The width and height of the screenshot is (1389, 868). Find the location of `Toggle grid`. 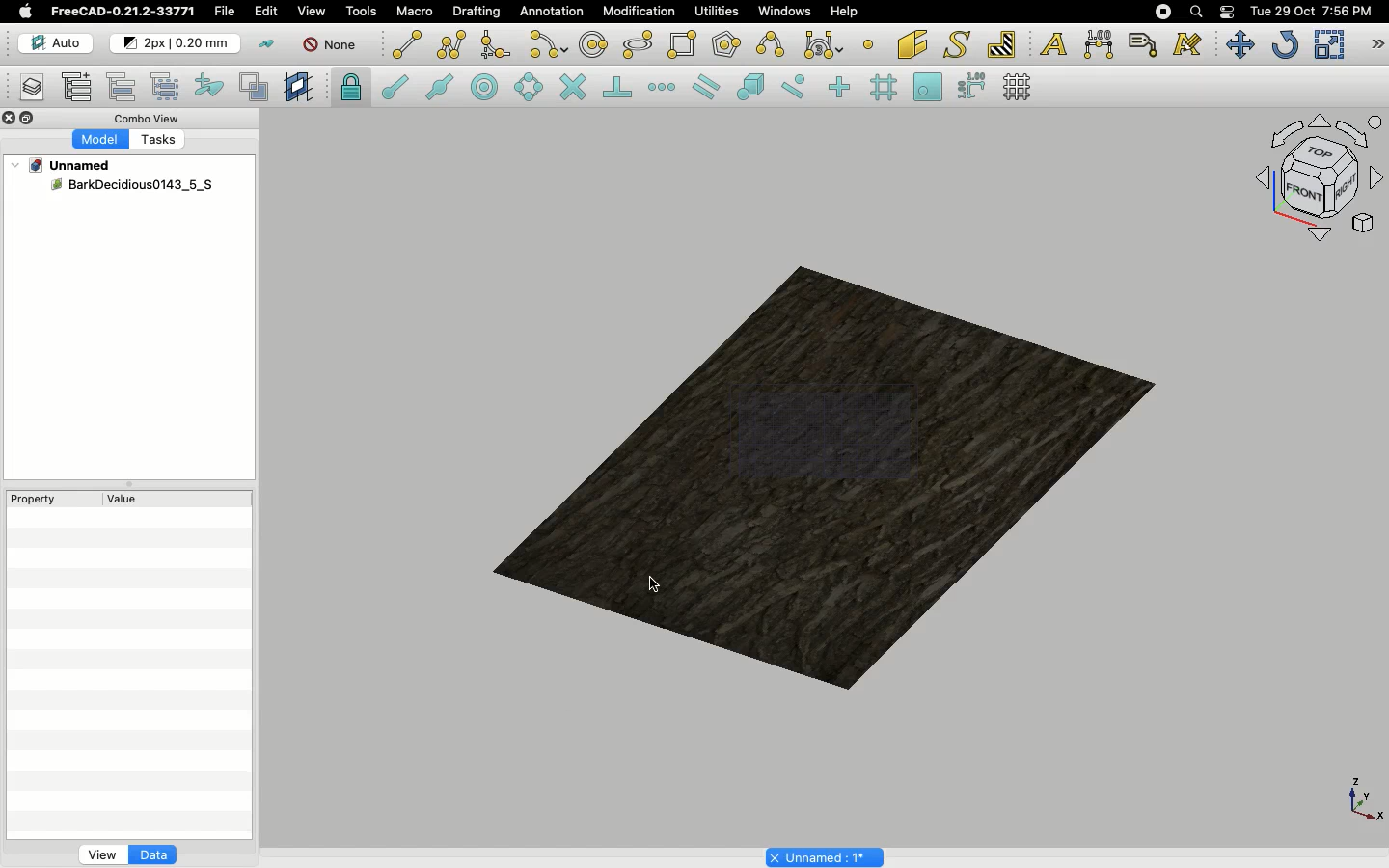

Toggle grid is located at coordinates (1019, 87).